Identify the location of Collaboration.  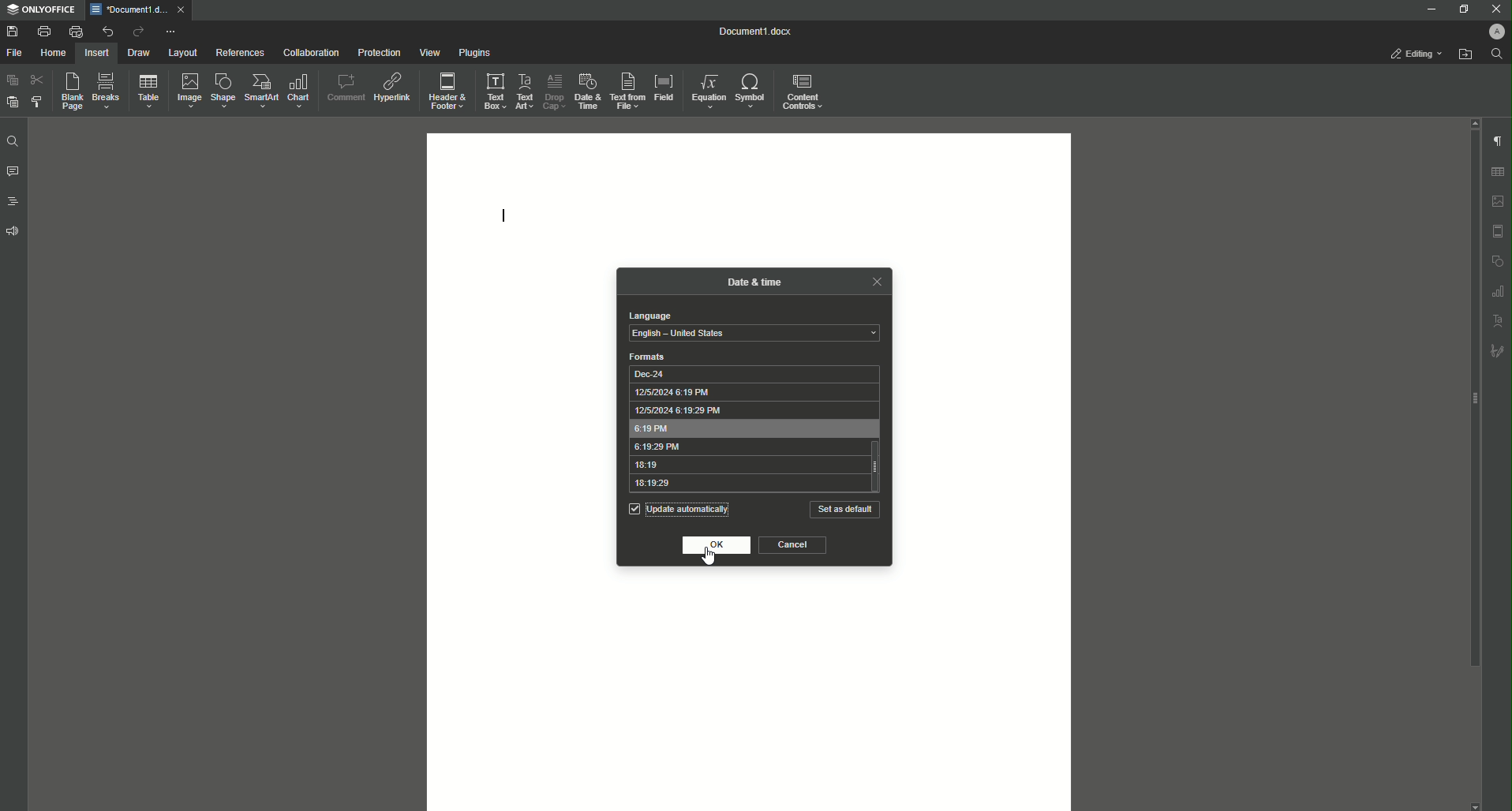
(308, 51).